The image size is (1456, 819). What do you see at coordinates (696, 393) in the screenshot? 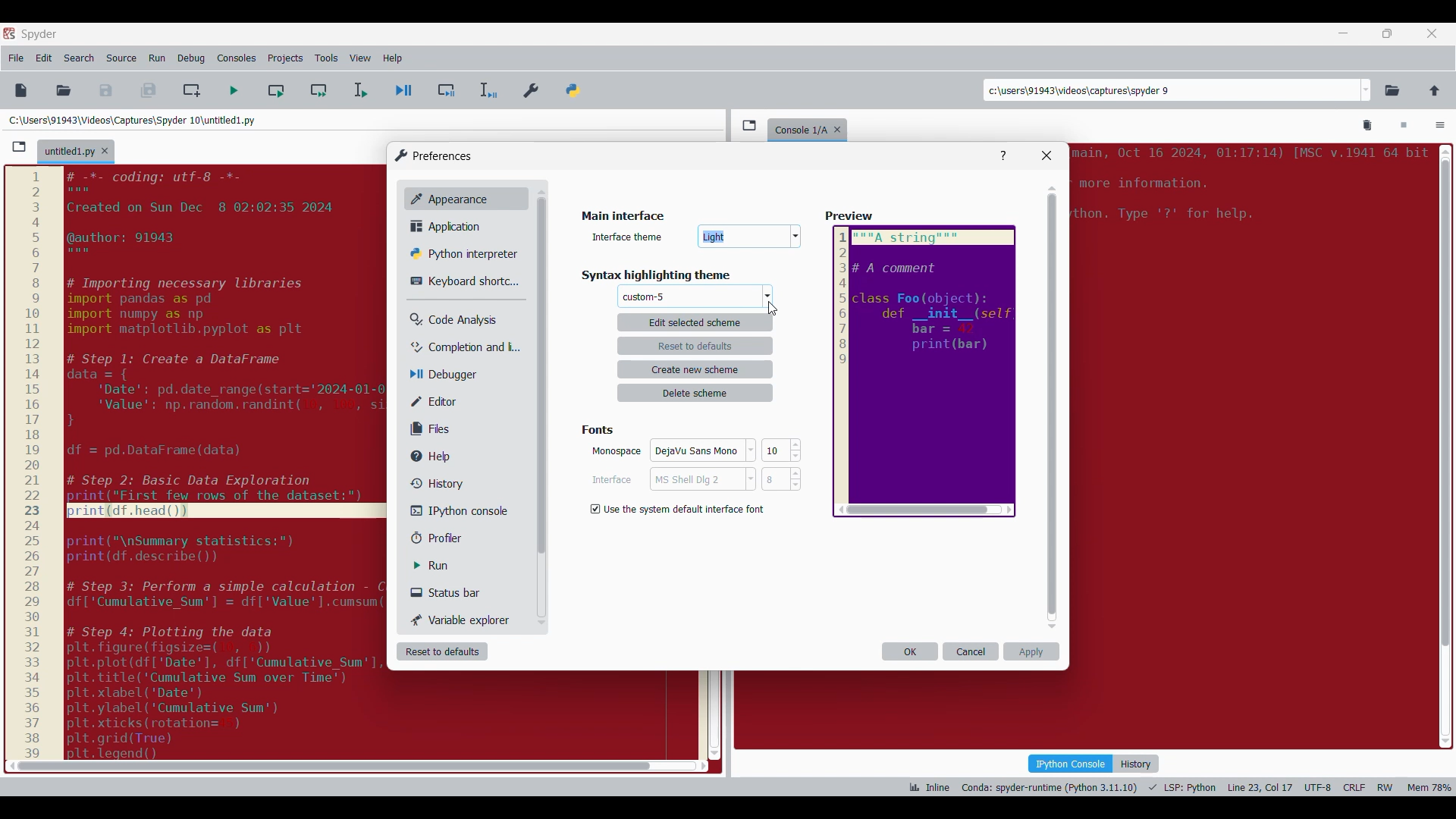
I see `delete scheme` at bounding box center [696, 393].